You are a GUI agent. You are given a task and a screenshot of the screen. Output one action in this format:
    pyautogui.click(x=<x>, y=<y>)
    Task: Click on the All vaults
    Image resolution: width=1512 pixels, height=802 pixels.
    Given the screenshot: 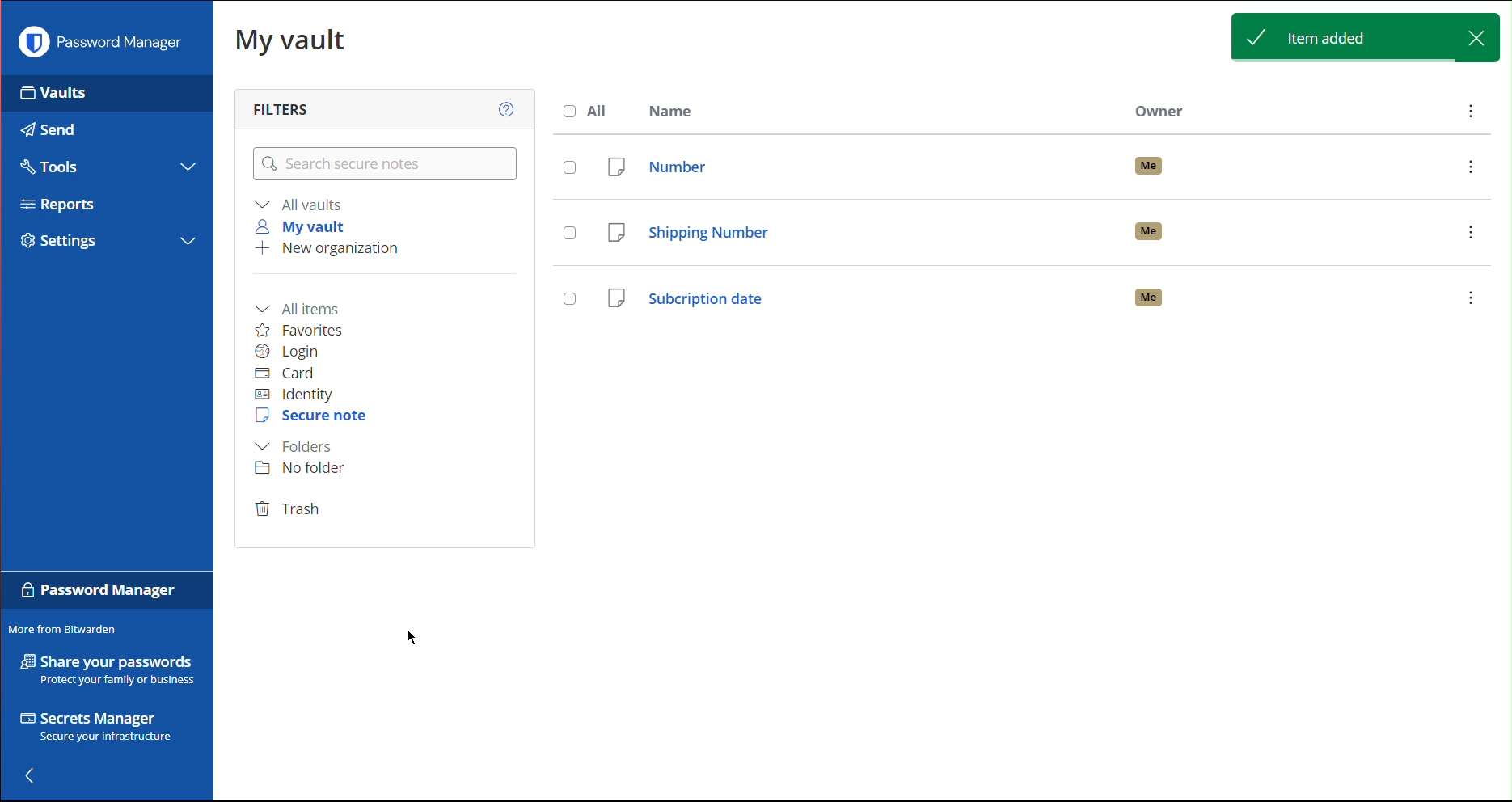 What is the action you would take?
    pyautogui.click(x=302, y=204)
    